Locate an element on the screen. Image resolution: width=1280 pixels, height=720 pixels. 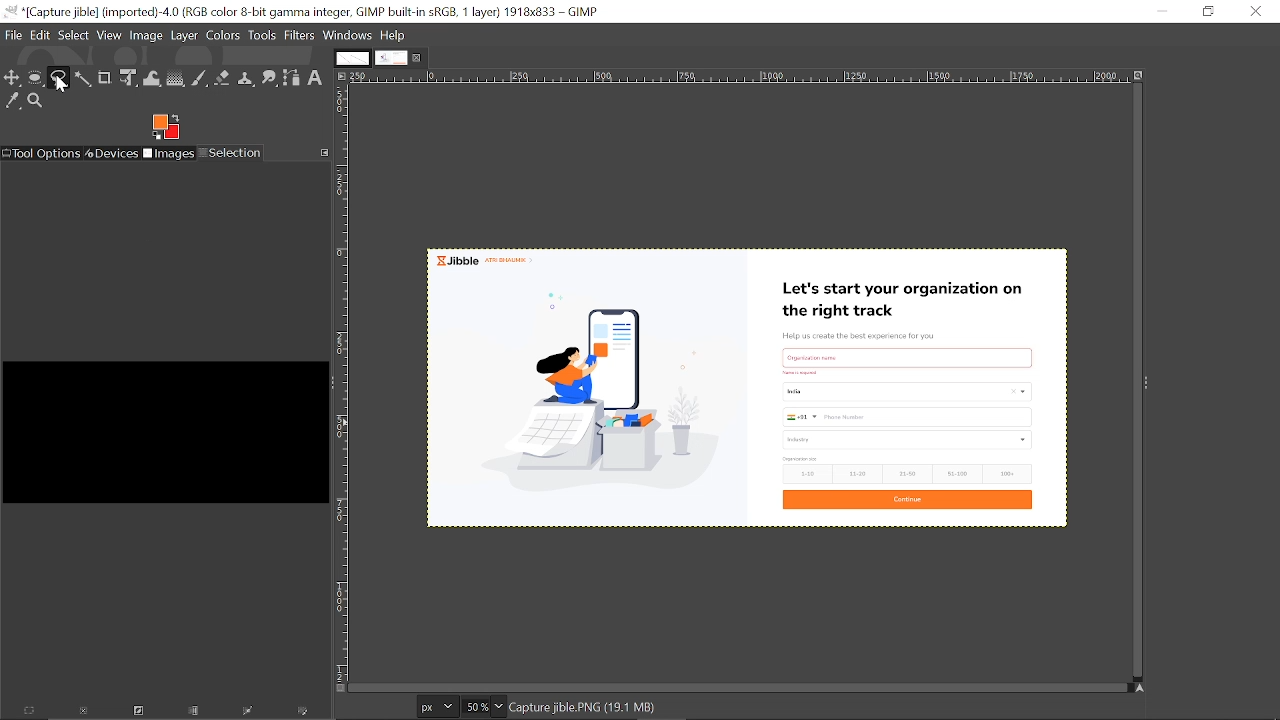
File is located at coordinates (14, 34).